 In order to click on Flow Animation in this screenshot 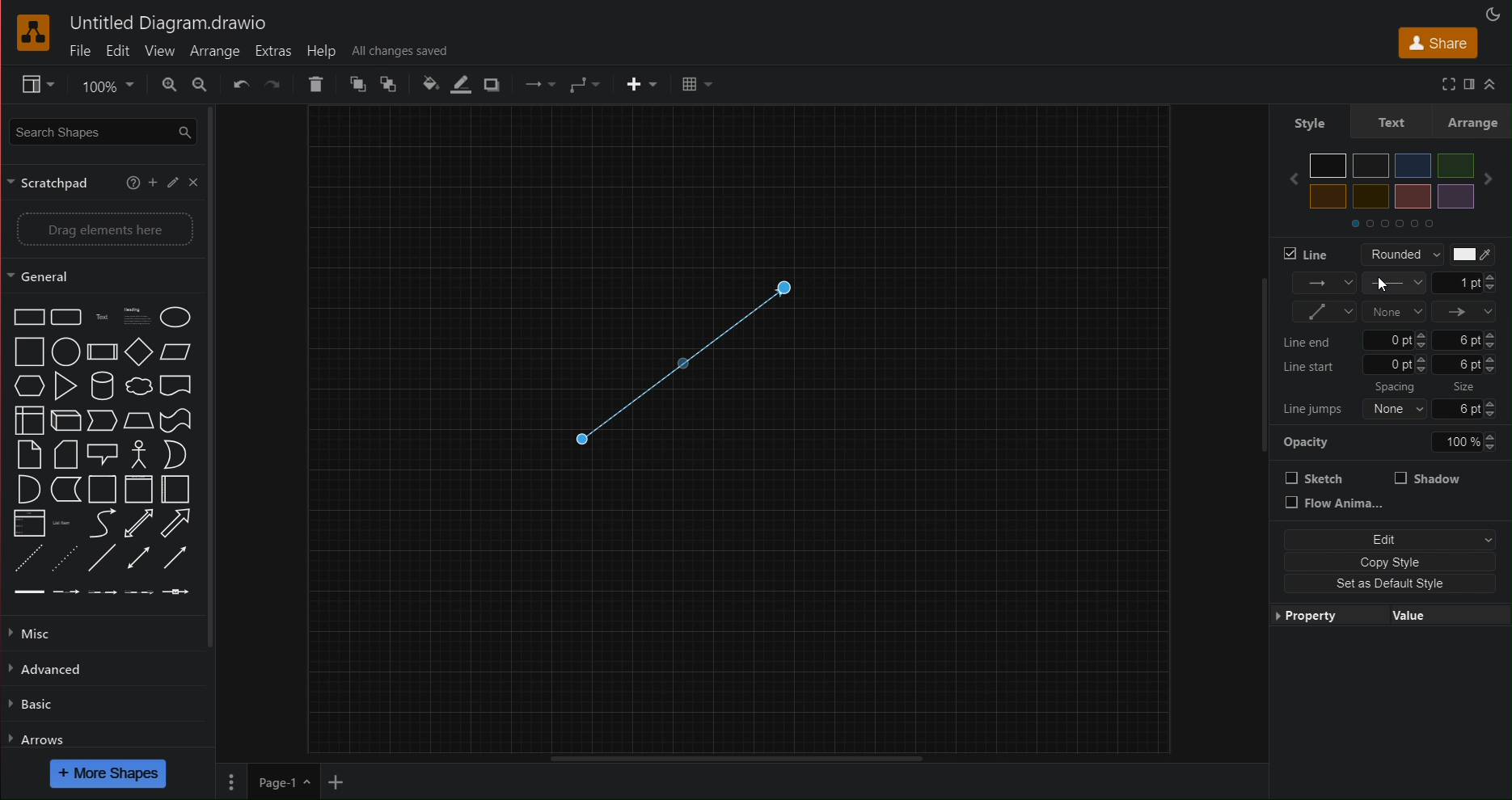, I will do `click(1336, 504)`.